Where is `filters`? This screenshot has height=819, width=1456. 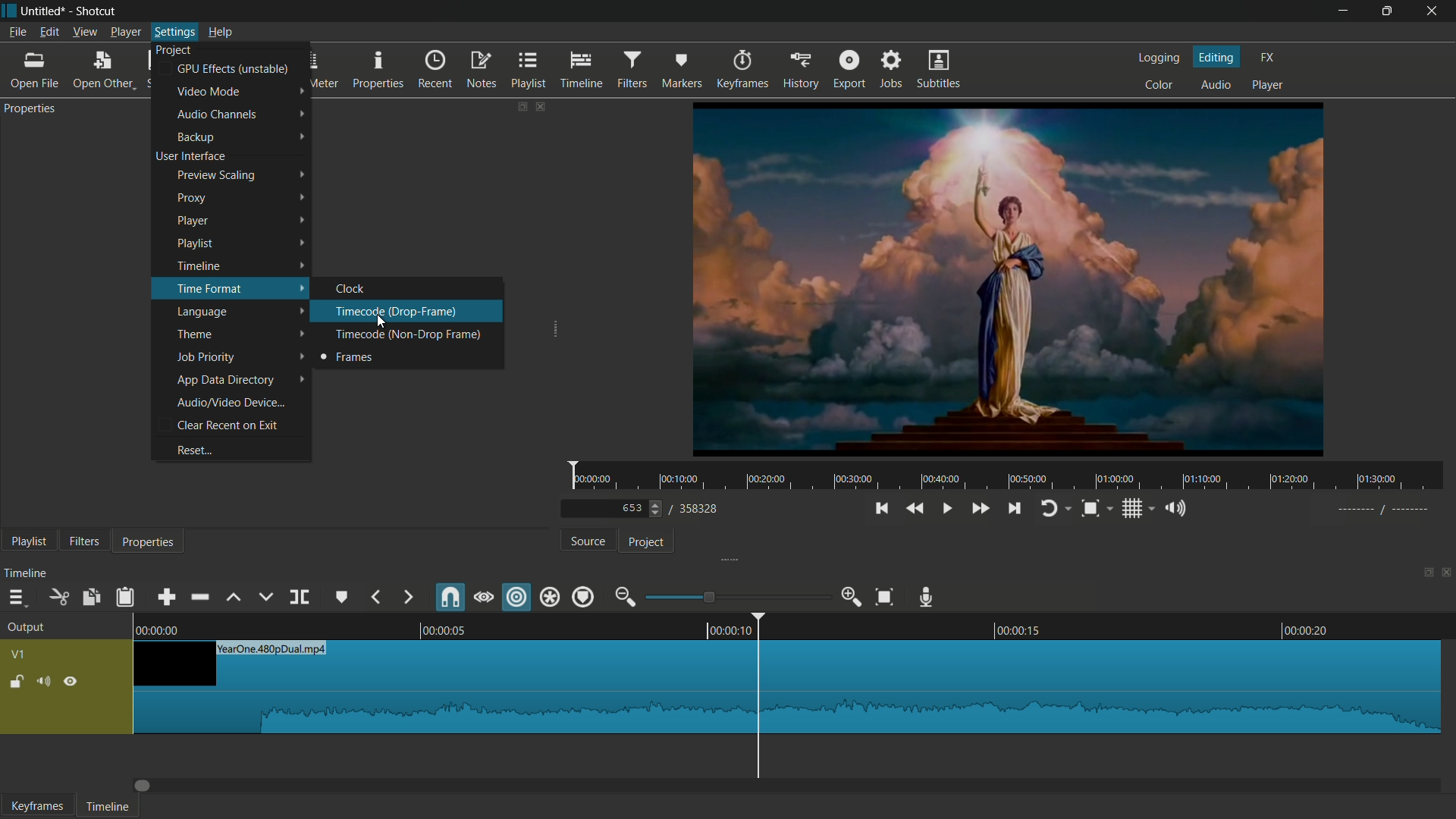 filters is located at coordinates (83, 541).